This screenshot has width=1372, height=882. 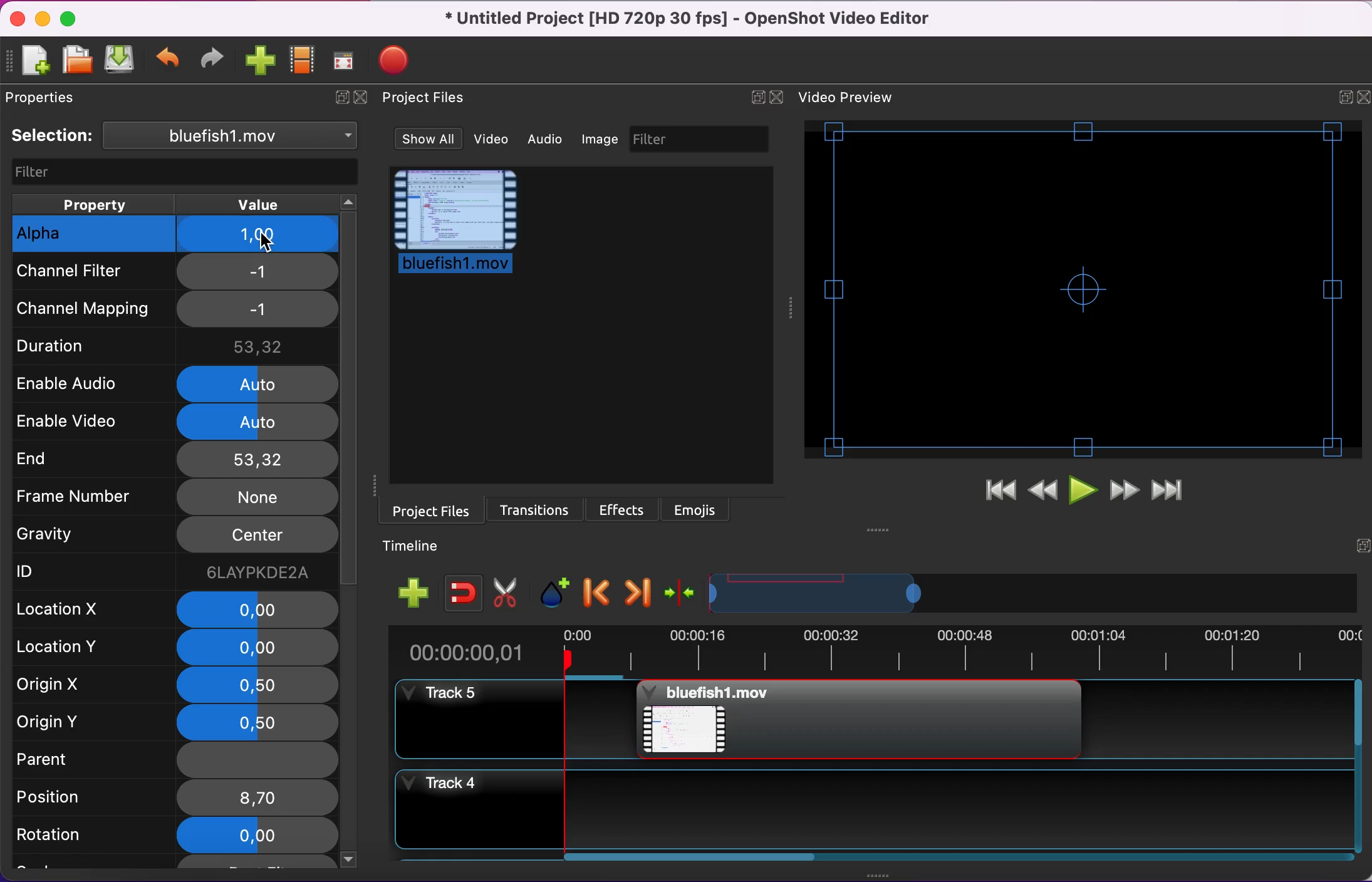 I want to click on 0,5, so click(x=261, y=723).